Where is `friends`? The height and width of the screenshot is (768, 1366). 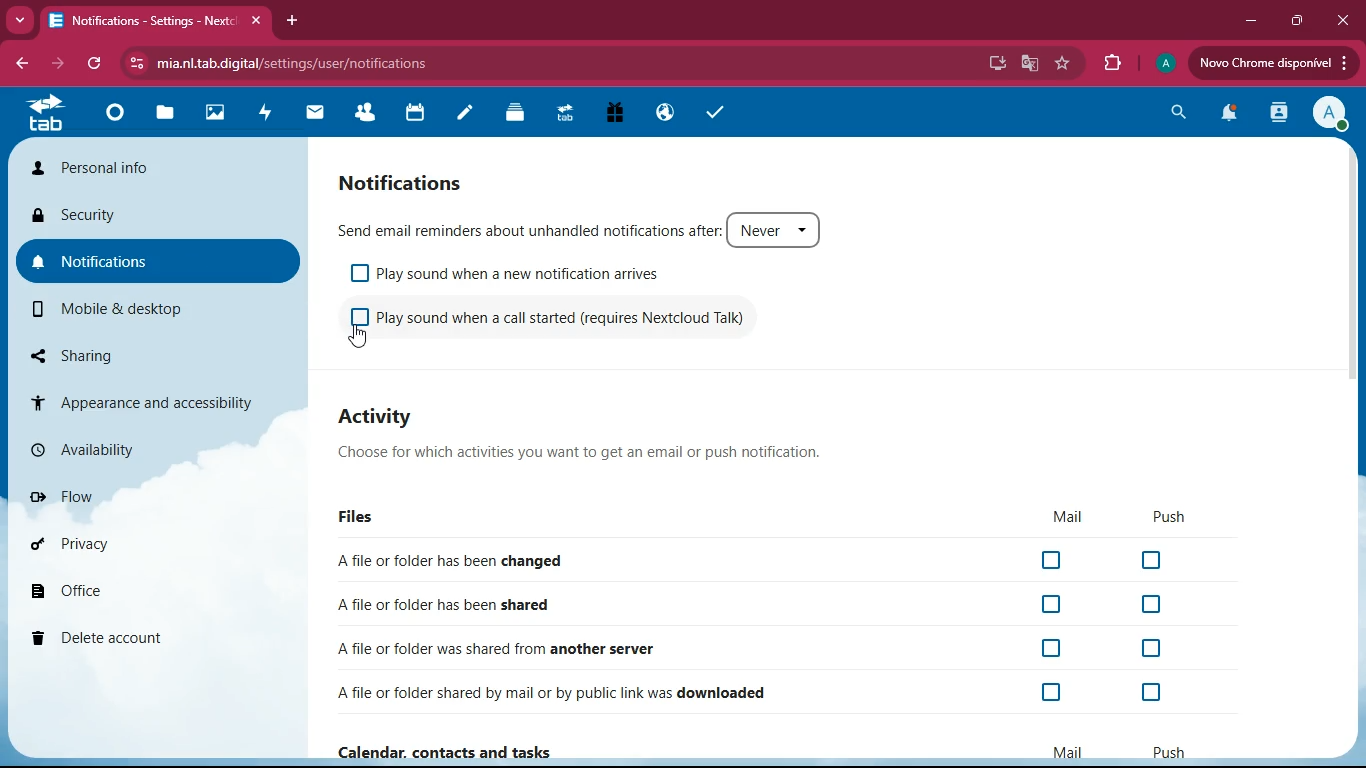 friends is located at coordinates (367, 114).